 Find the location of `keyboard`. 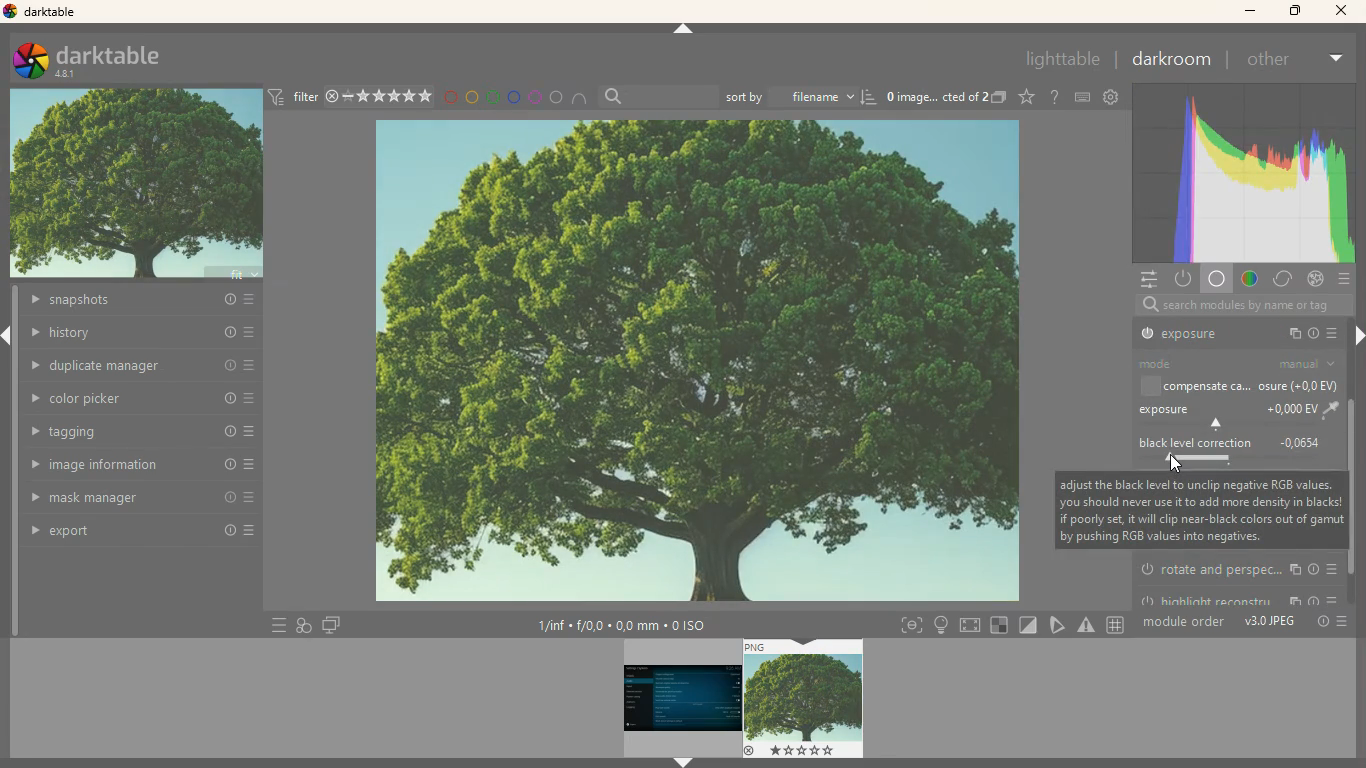

keyboard is located at coordinates (1079, 97).